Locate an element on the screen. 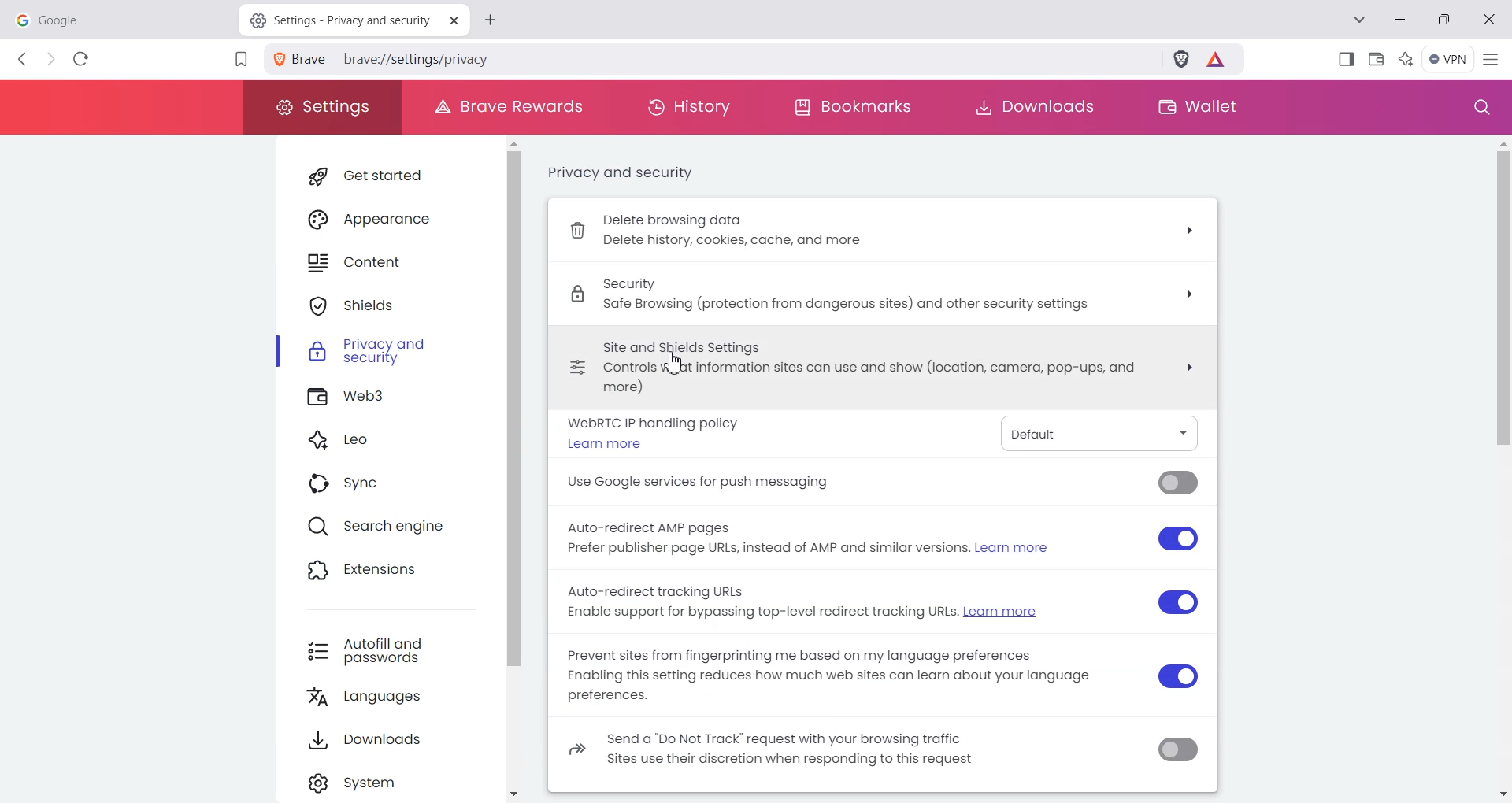  Settings is located at coordinates (321, 107).